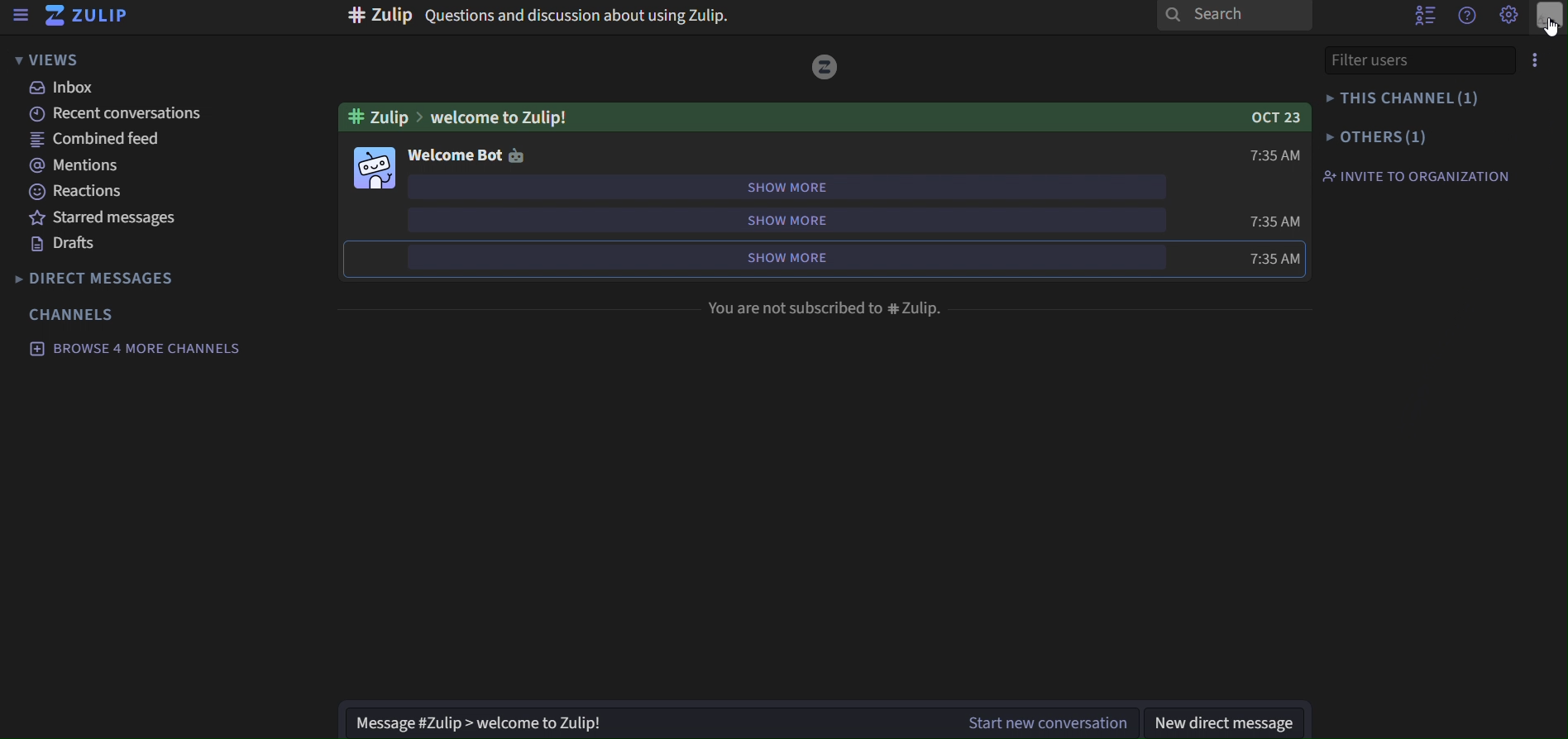 This screenshot has height=739, width=1568. What do you see at coordinates (127, 191) in the screenshot?
I see `reactions` at bounding box center [127, 191].